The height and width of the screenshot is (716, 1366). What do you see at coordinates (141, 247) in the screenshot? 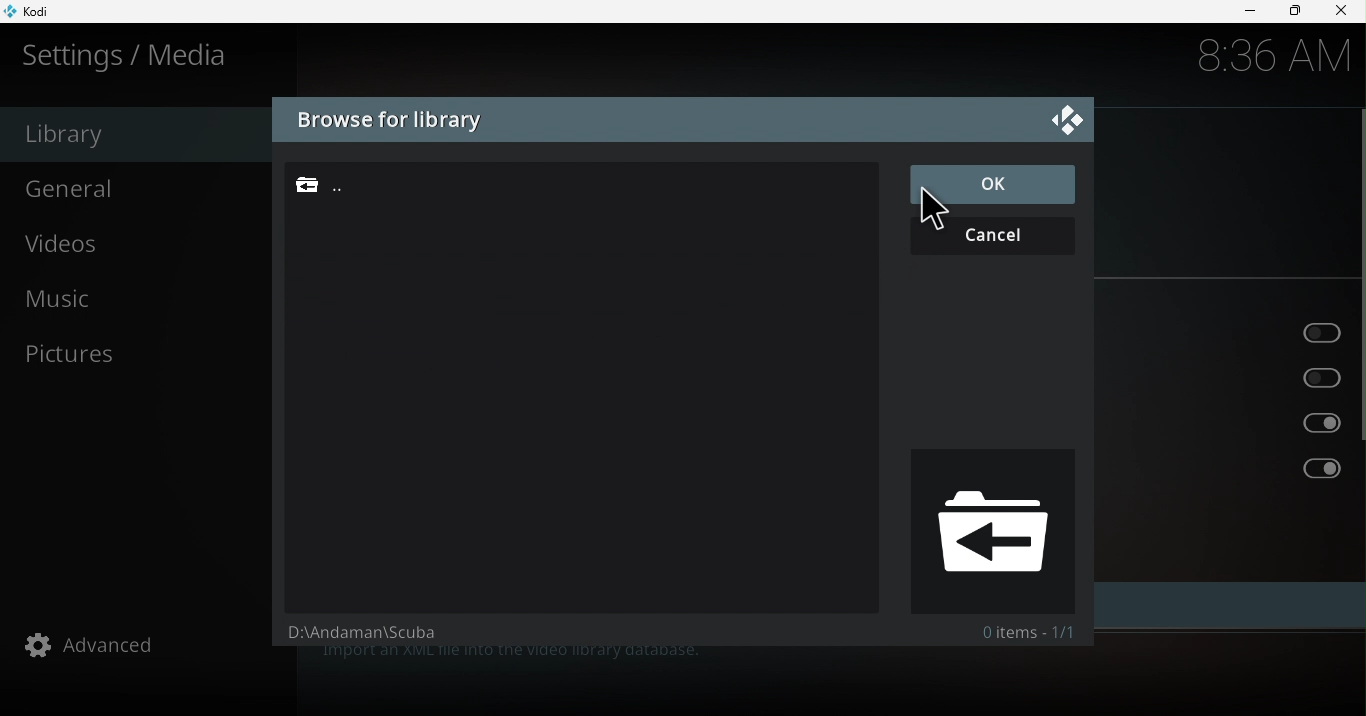
I see `Videos` at bounding box center [141, 247].